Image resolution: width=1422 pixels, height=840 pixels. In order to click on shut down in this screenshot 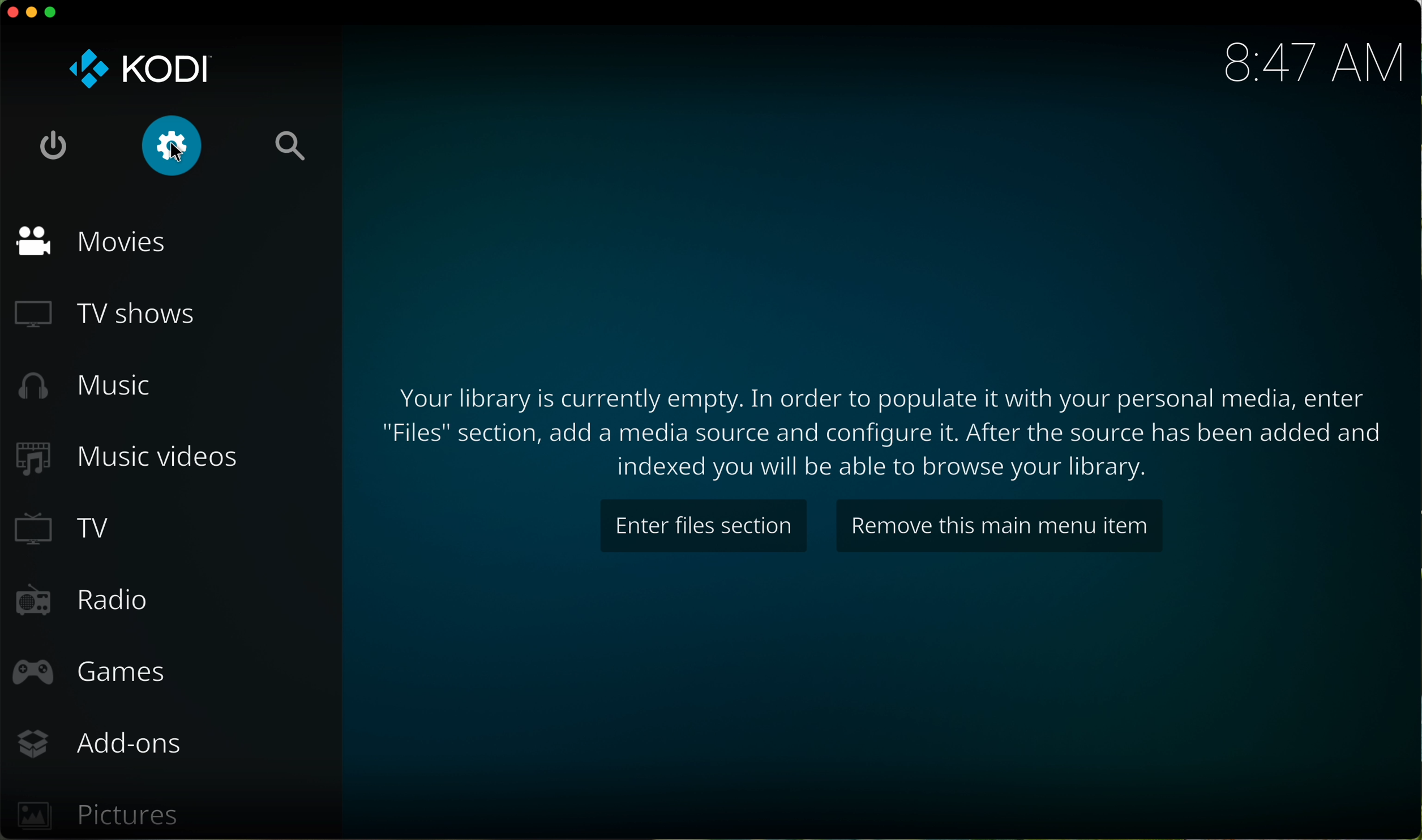, I will do `click(52, 144)`.